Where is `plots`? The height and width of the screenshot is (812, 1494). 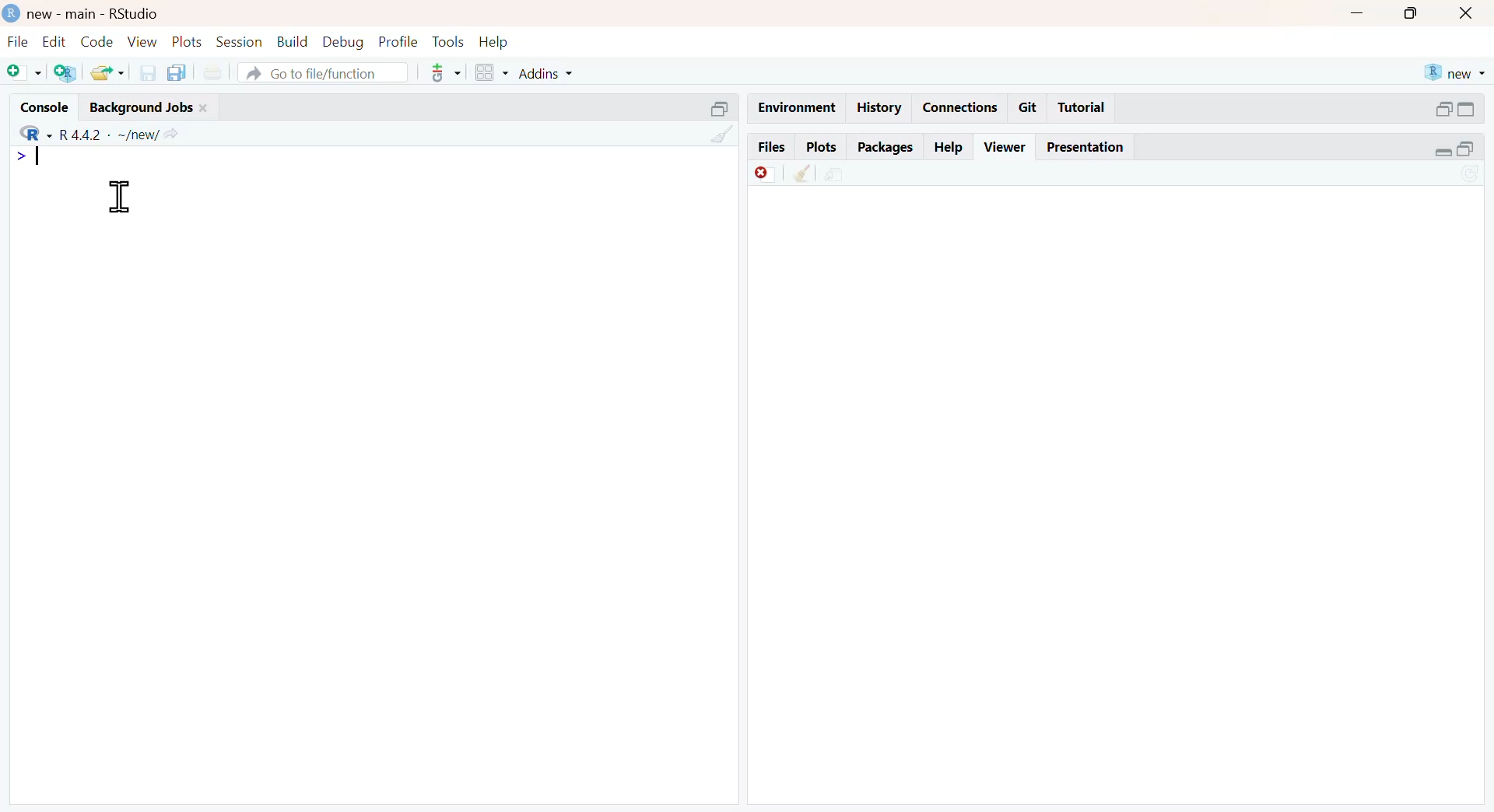
plots is located at coordinates (187, 41).